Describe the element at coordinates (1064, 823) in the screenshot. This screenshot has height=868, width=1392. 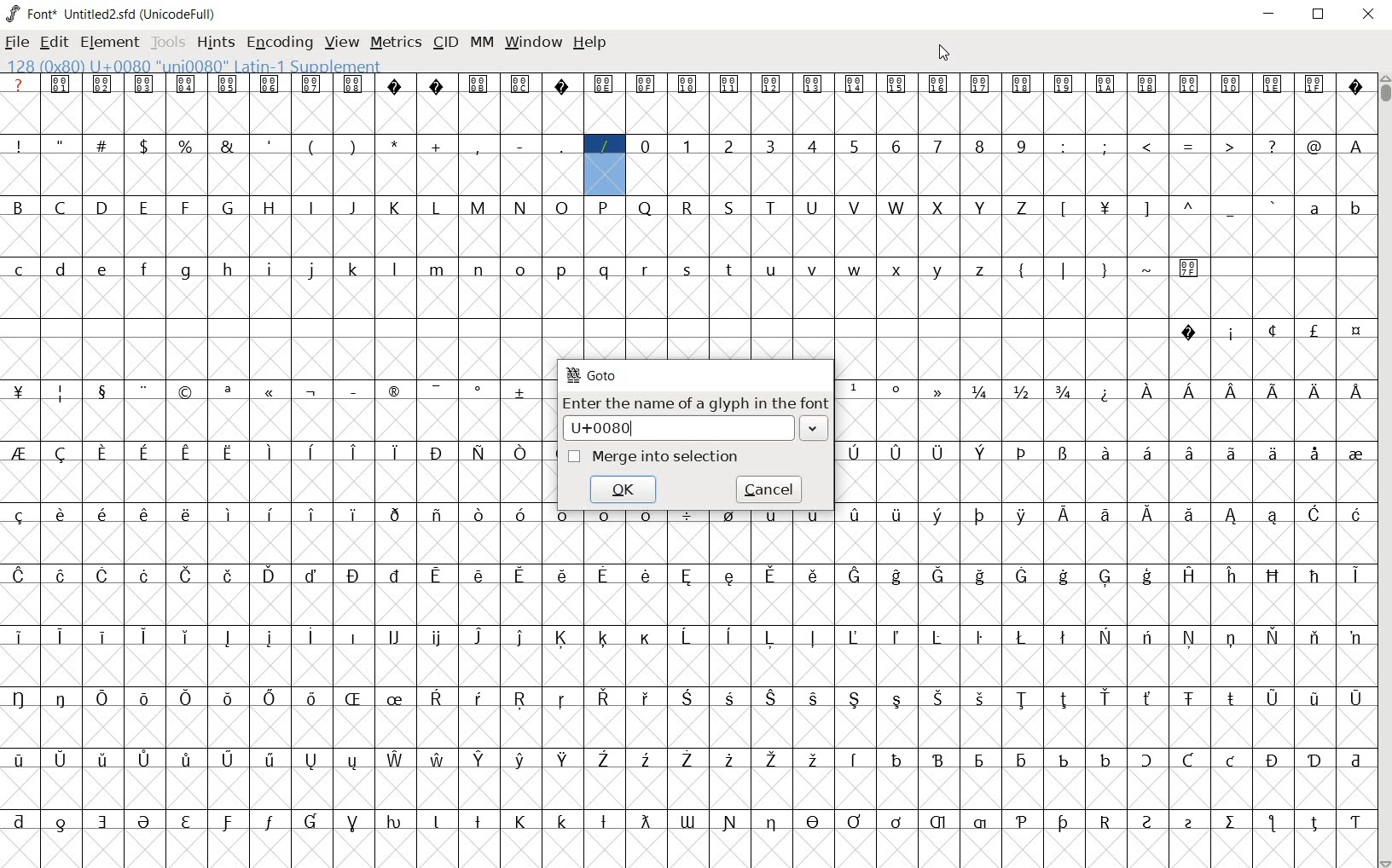
I see `glyph` at that location.